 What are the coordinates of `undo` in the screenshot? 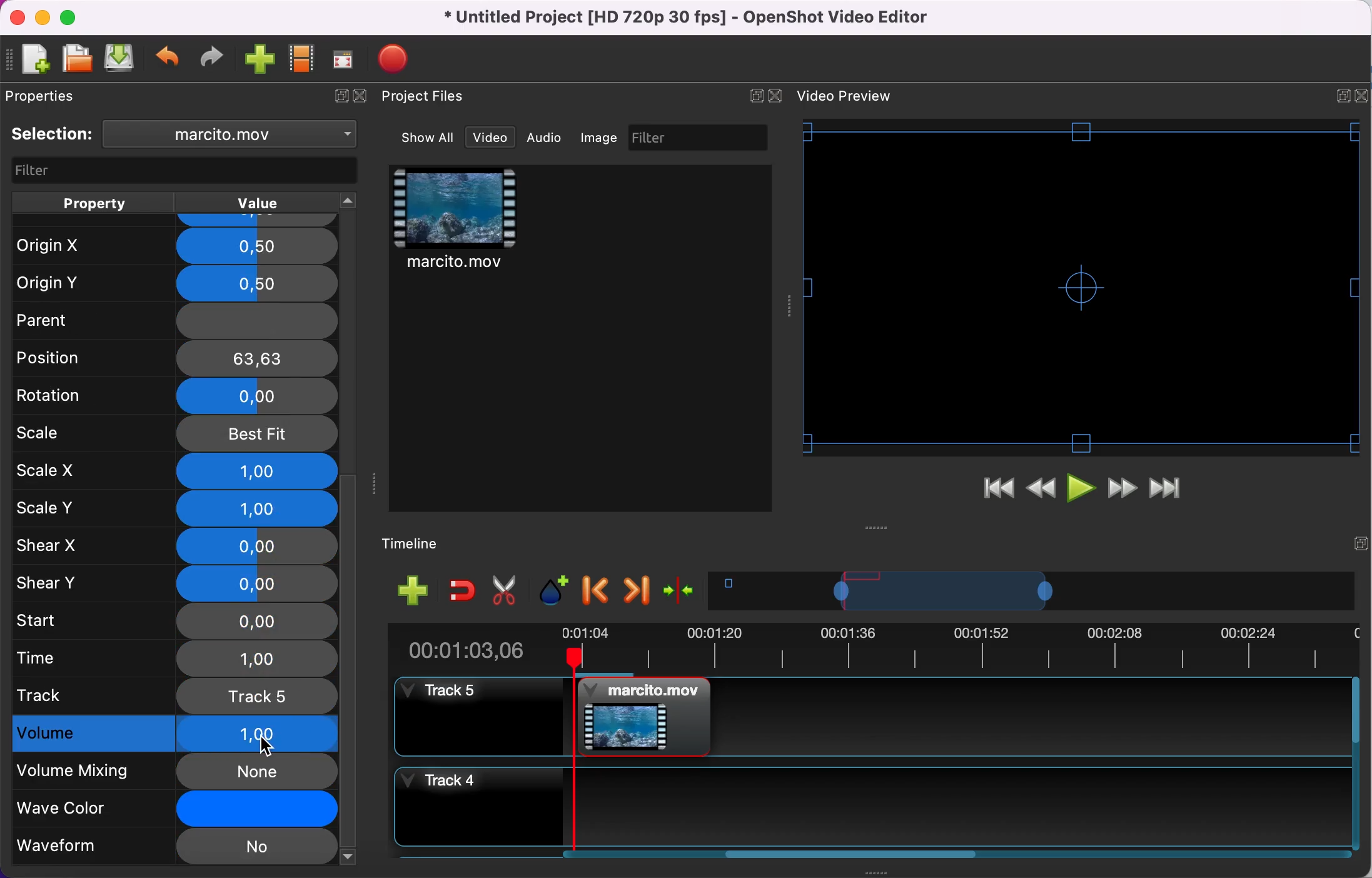 It's located at (169, 59).